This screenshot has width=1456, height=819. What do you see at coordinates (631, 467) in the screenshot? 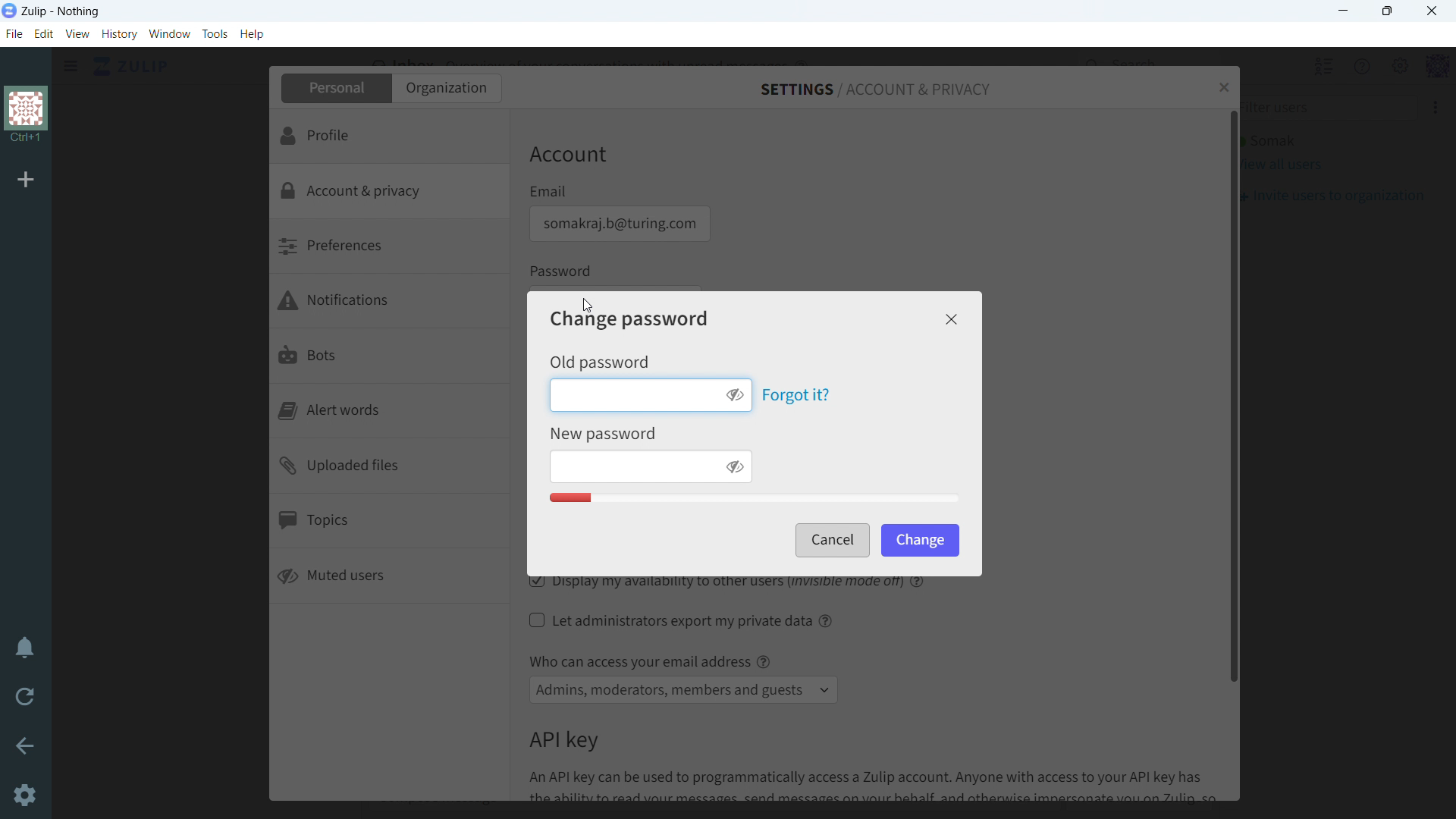
I see `enter new password` at bounding box center [631, 467].